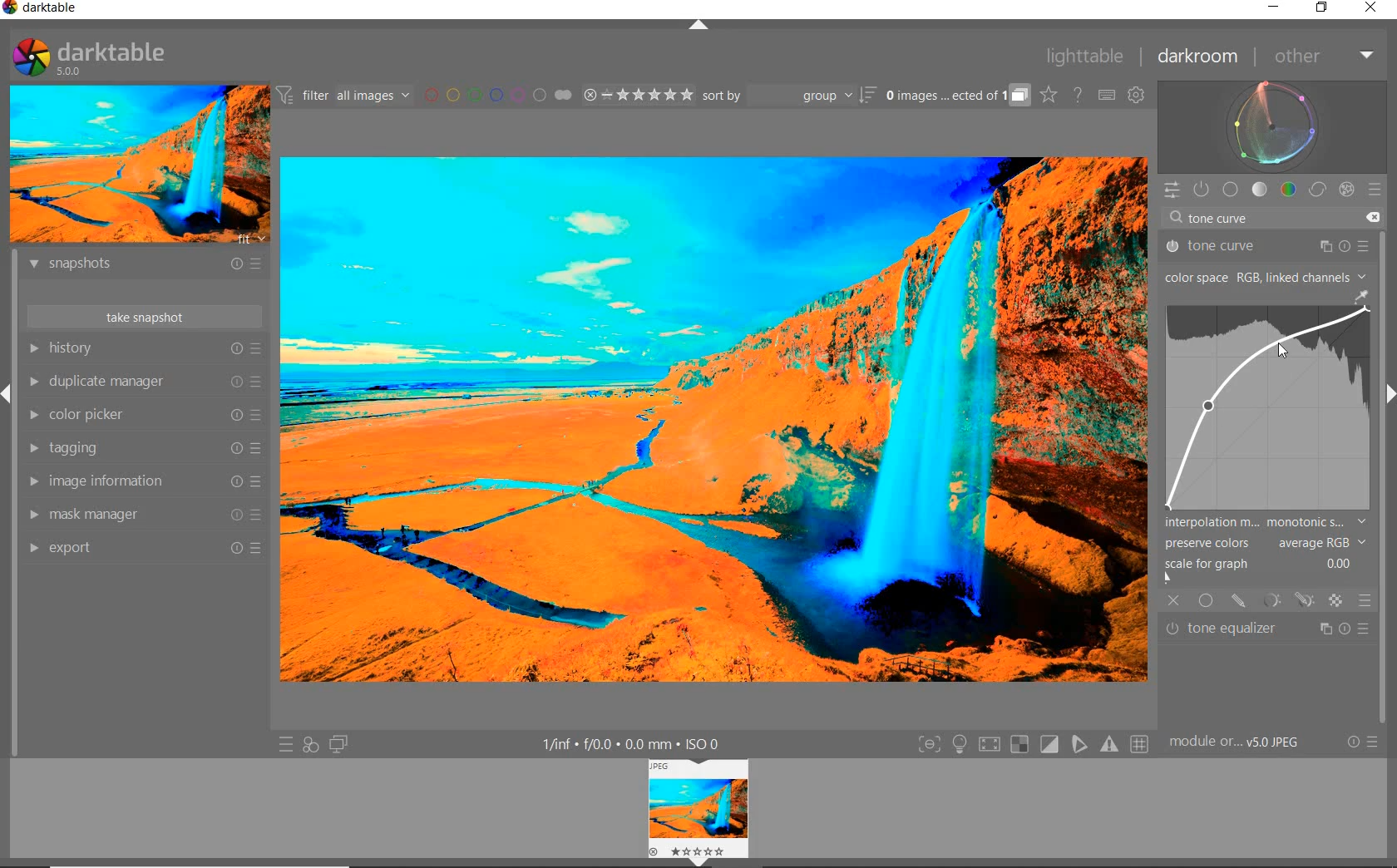  I want to click on waveform, so click(1273, 126).